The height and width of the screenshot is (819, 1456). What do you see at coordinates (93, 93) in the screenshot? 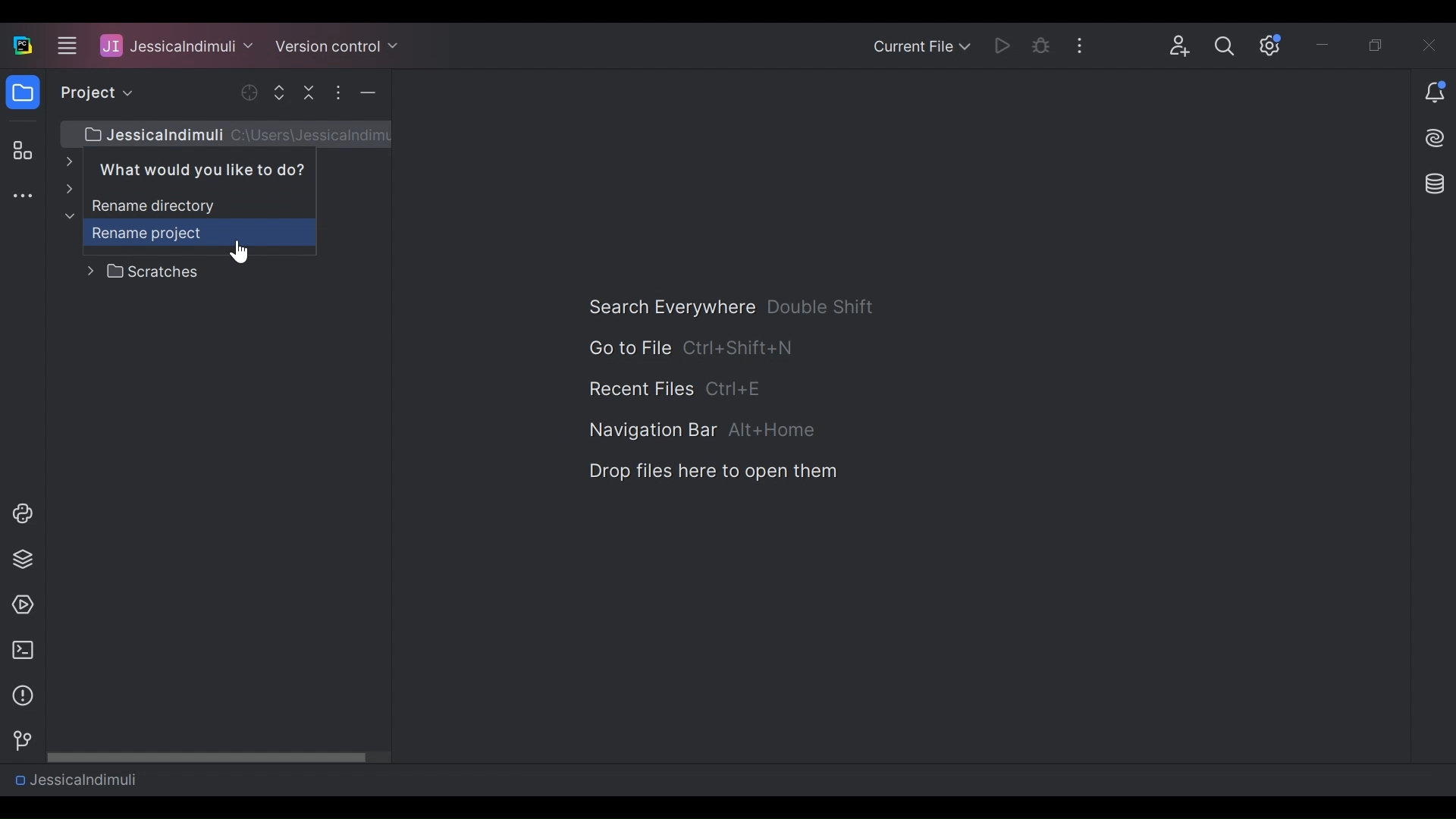
I see `project view` at bounding box center [93, 93].